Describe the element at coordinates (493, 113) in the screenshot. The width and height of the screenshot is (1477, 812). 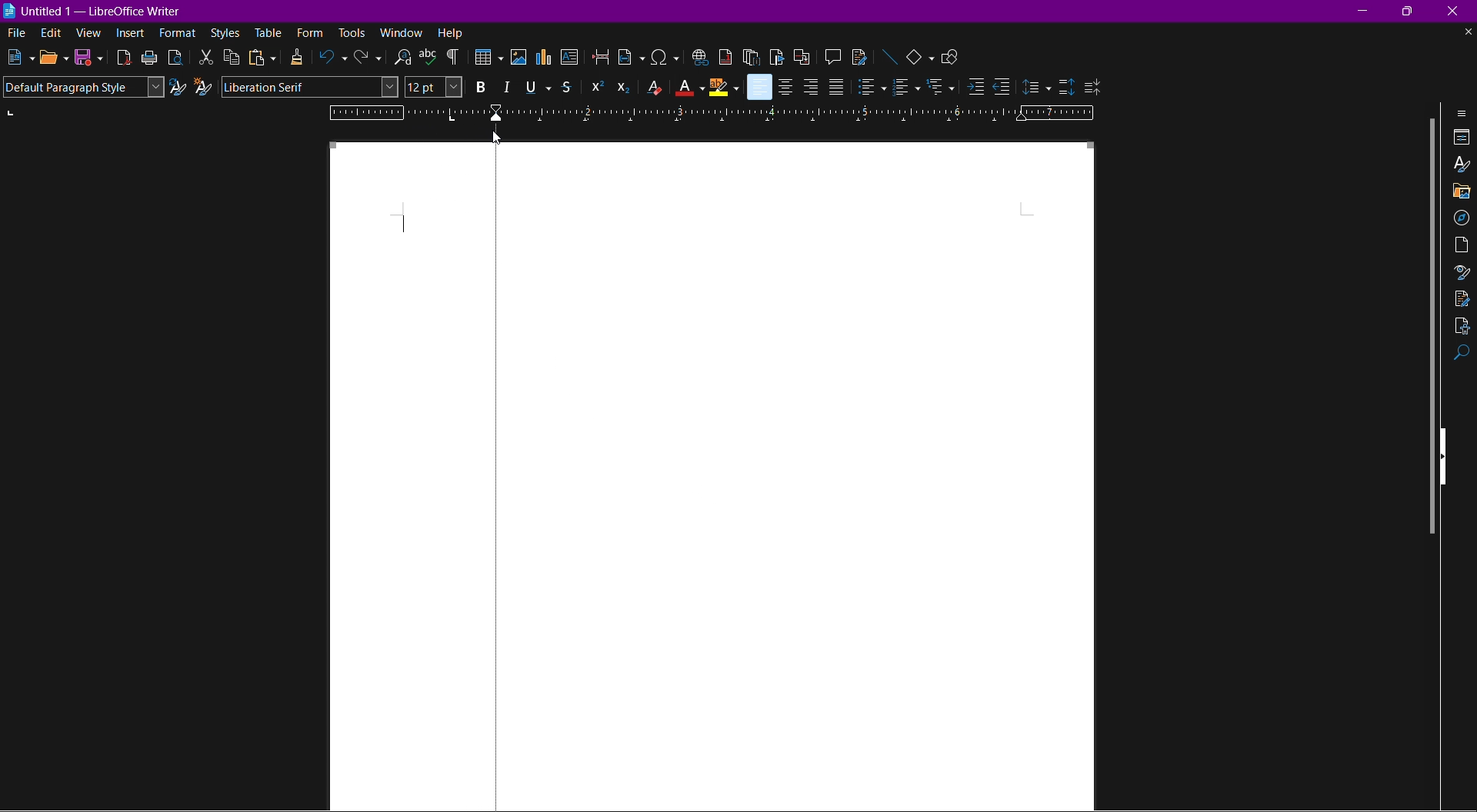
I see `Indent pointer` at that location.